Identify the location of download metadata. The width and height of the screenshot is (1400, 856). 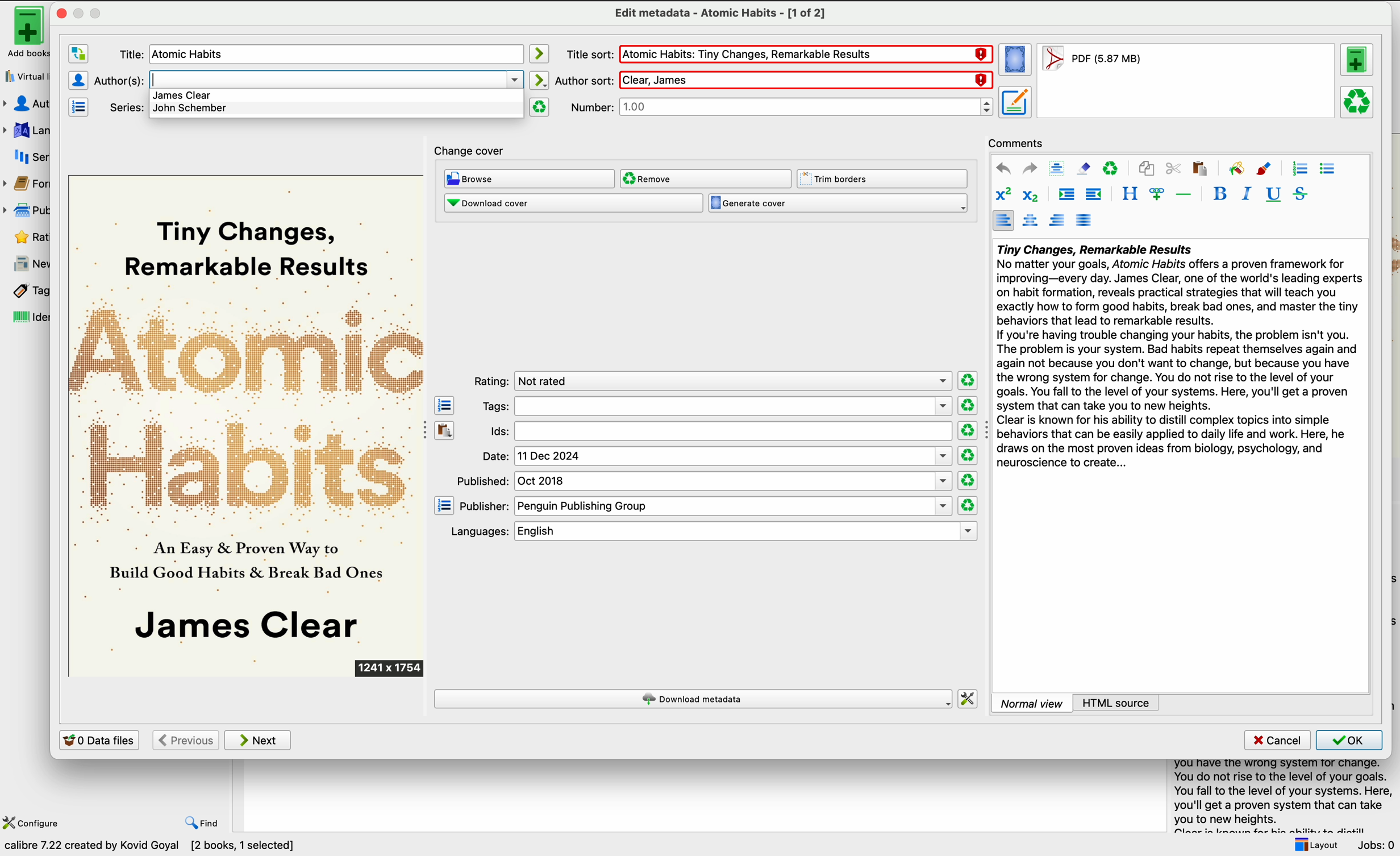
(693, 699).